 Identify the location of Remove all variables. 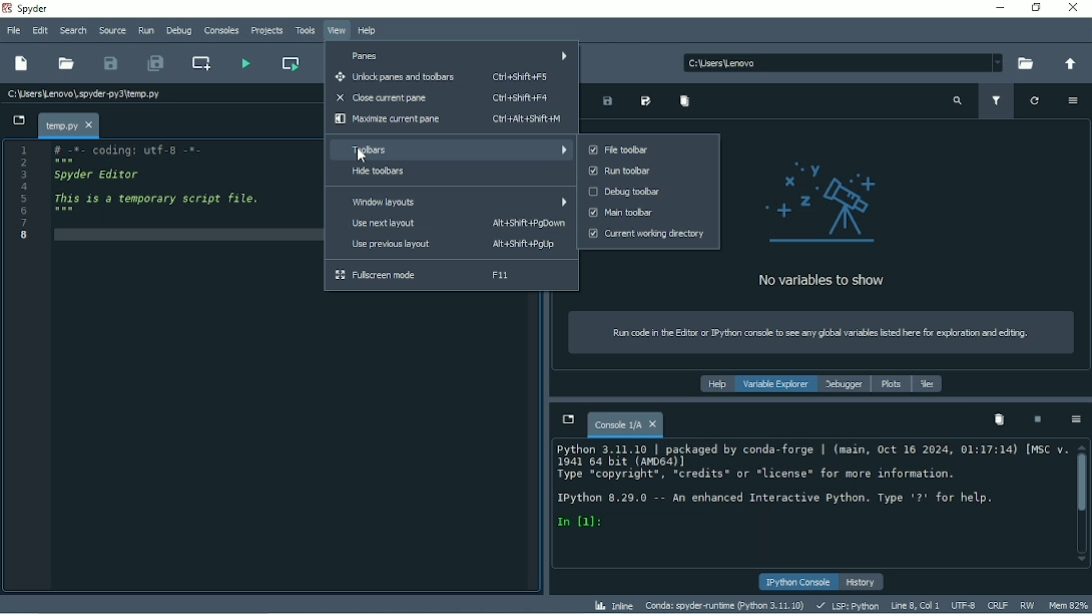
(684, 101).